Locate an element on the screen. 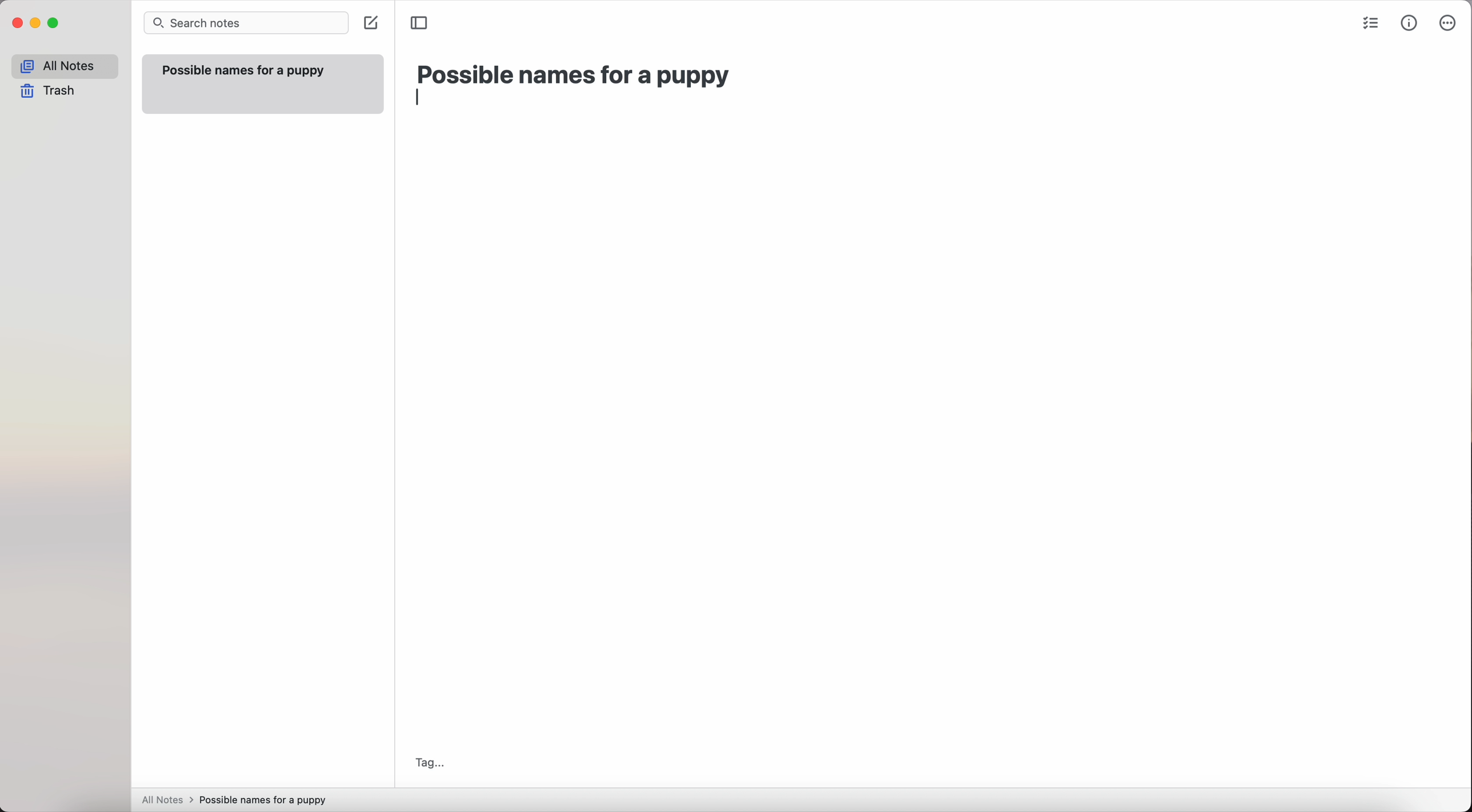 This screenshot has width=1472, height=812. metrics is located at coordinates (1410, 23).